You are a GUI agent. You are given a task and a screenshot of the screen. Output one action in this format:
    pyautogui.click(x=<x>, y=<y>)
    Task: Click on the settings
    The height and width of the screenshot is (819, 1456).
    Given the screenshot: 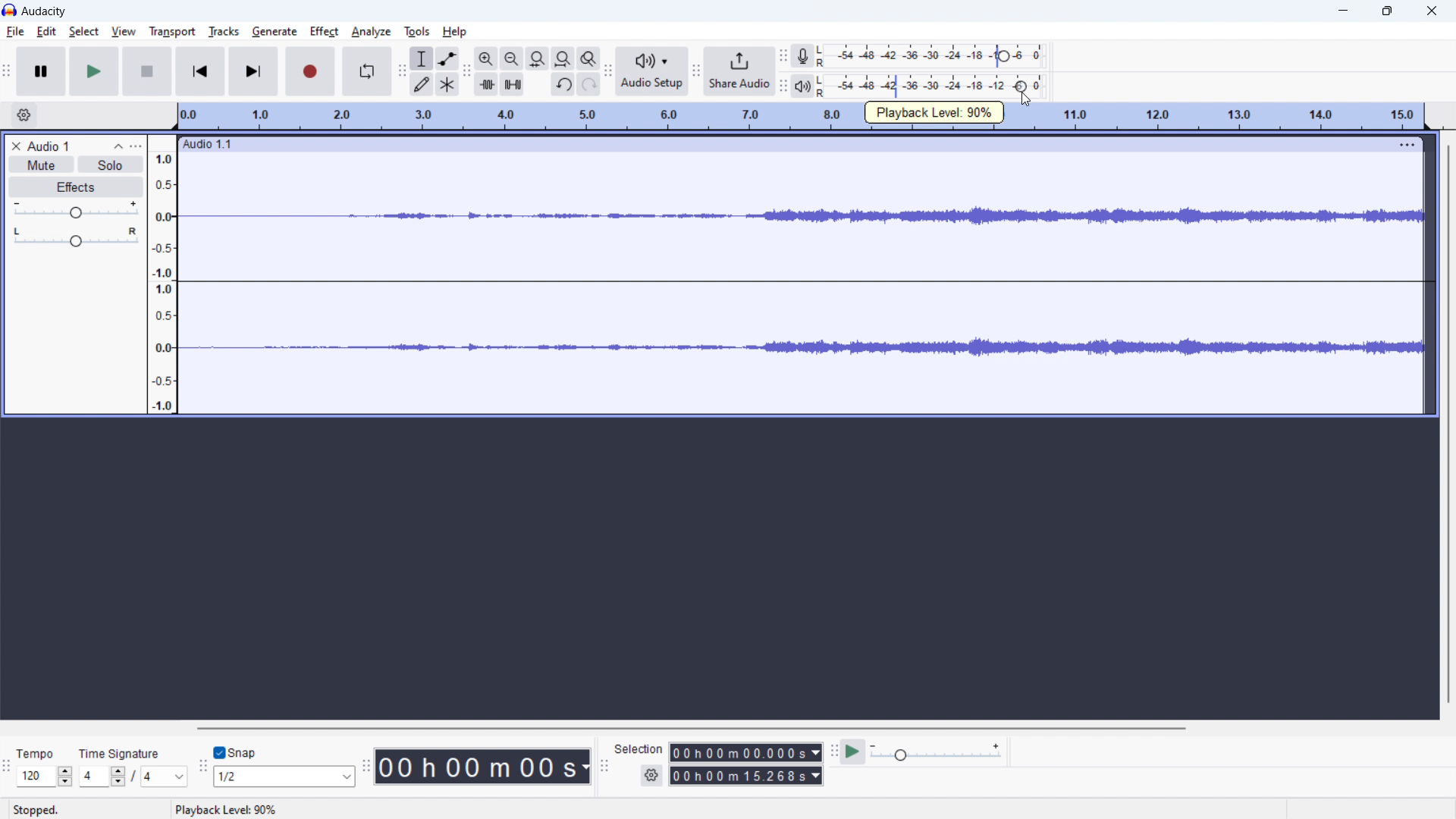 What is the action you would take?
    pyautogui.click(x=651, y=776)
    